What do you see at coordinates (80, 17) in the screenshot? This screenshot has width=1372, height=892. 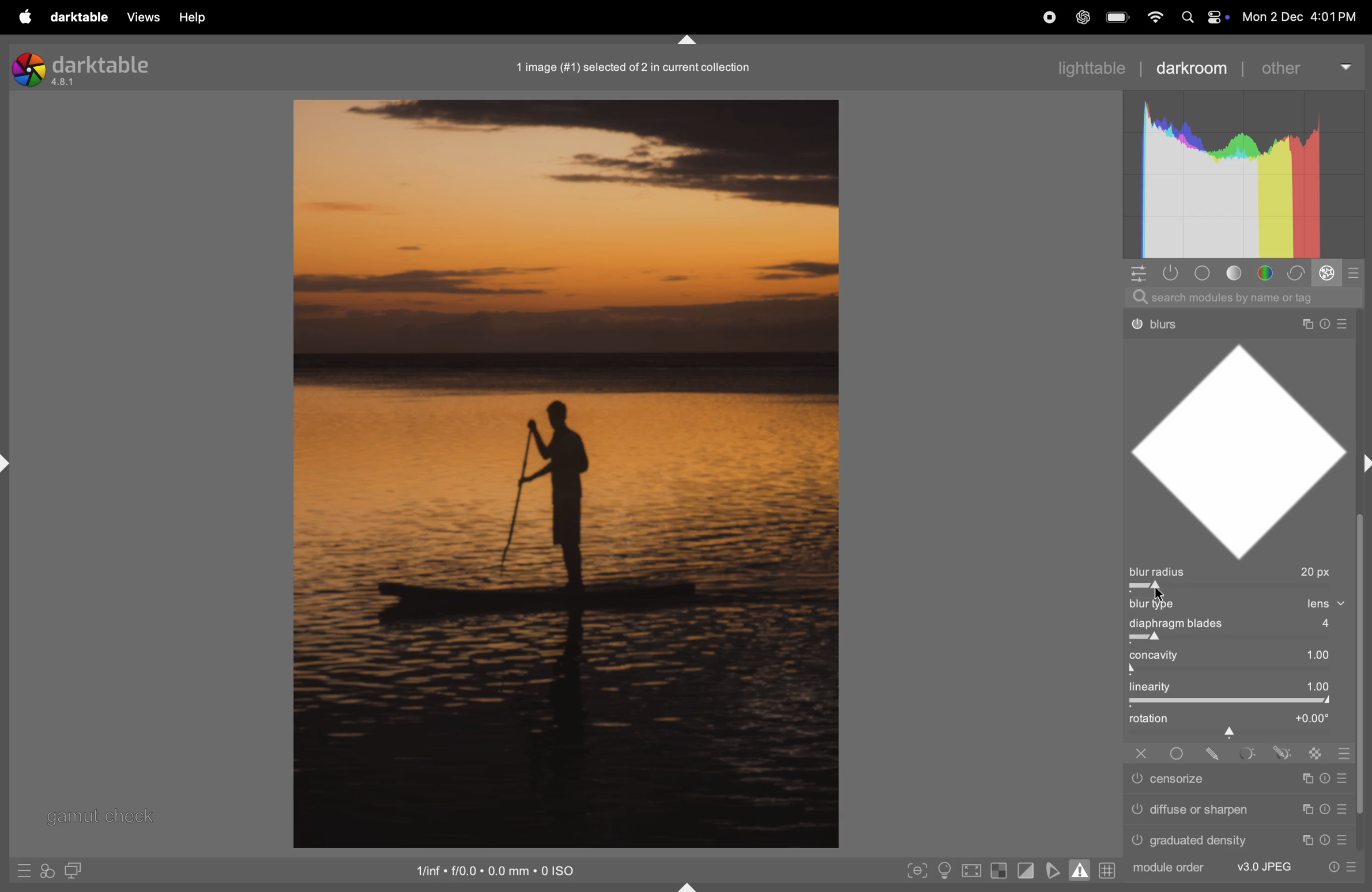 I see `darktable` at bounding box center [80, 17].